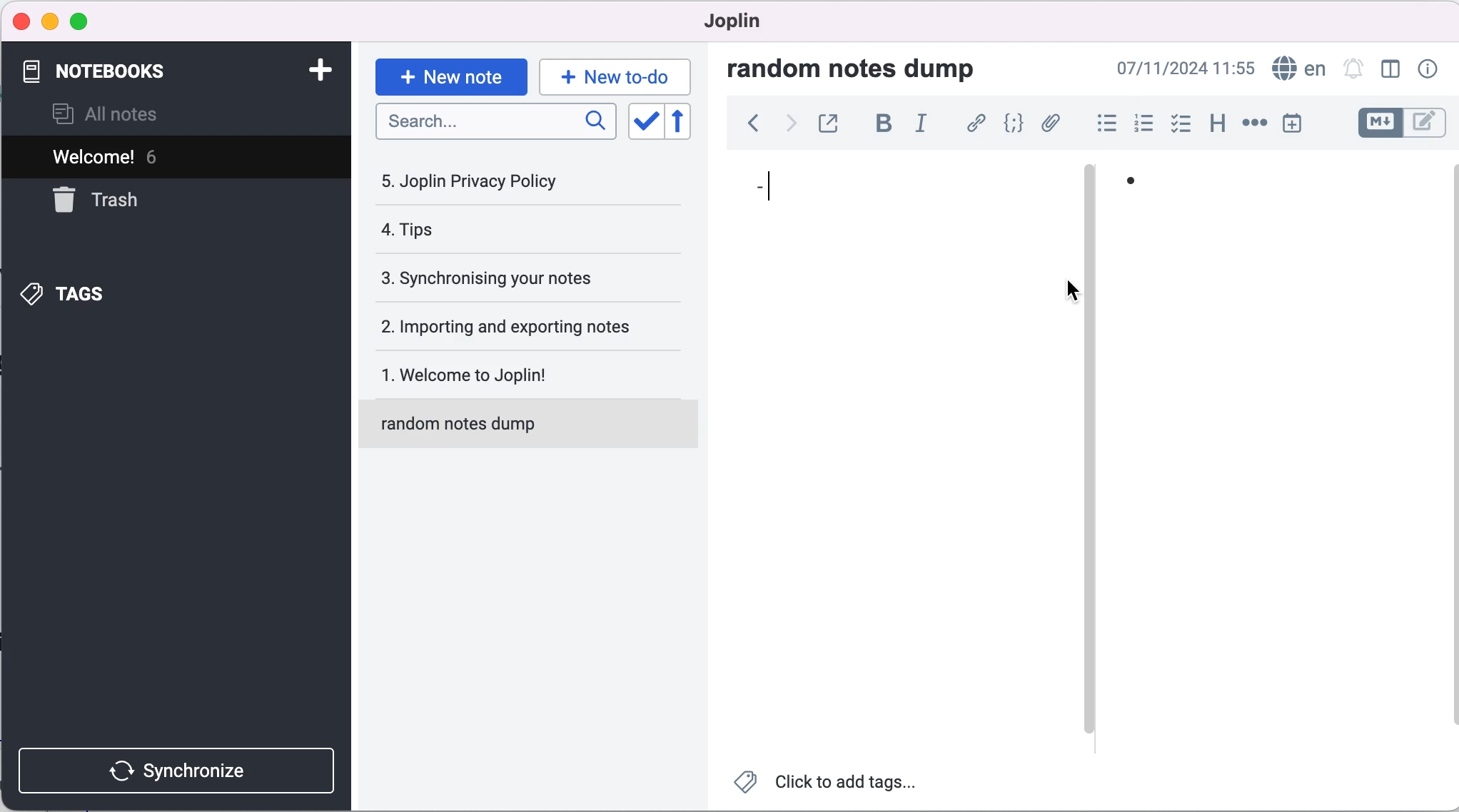 The height and width of the screenshot is (812, 1459). Describe the element at coordinates (786, 127) in the screenshot. I see `forward` at that location.